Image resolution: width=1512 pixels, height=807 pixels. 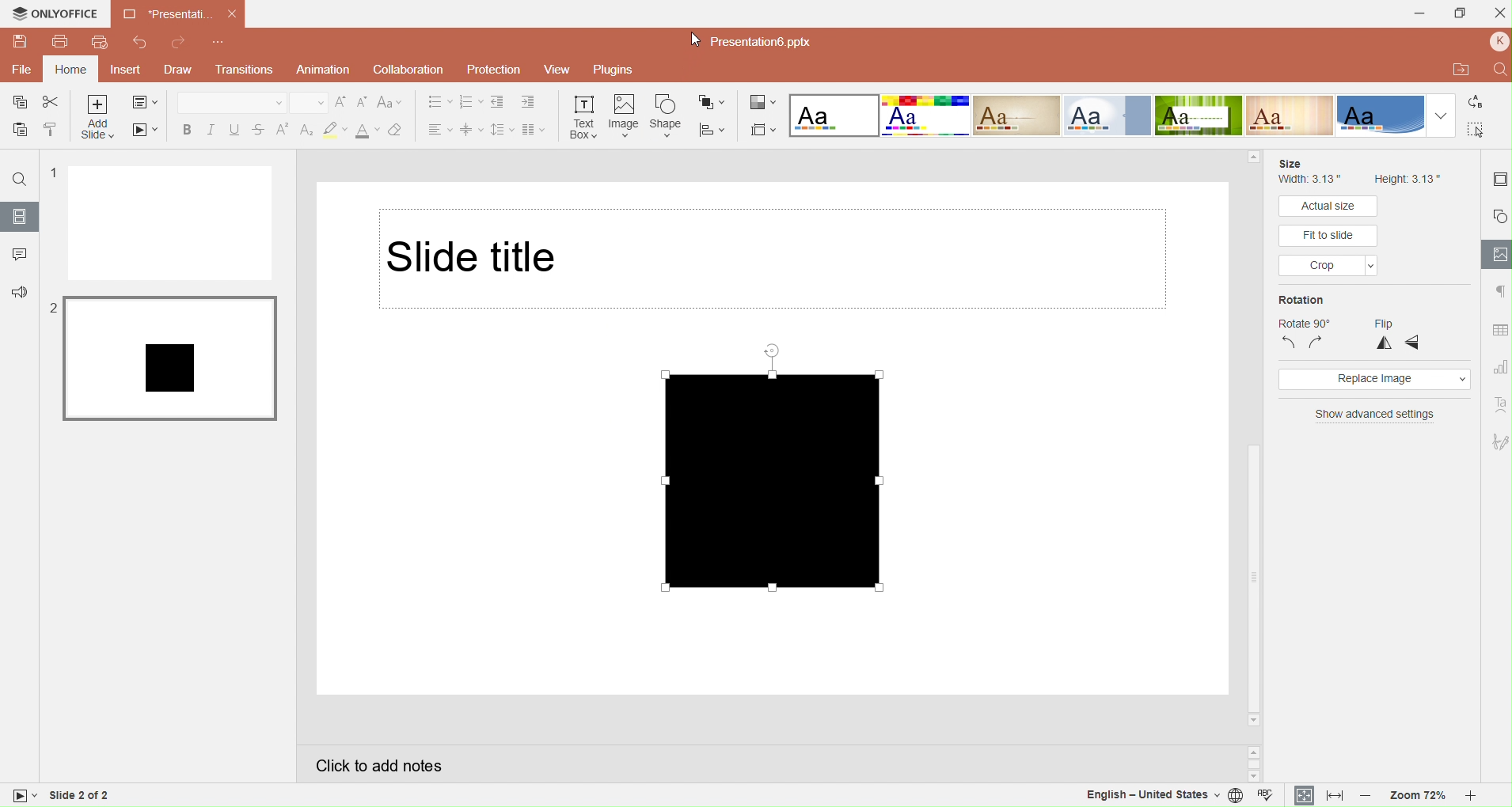 I want to click on Official, so click(x=1107, y=116).